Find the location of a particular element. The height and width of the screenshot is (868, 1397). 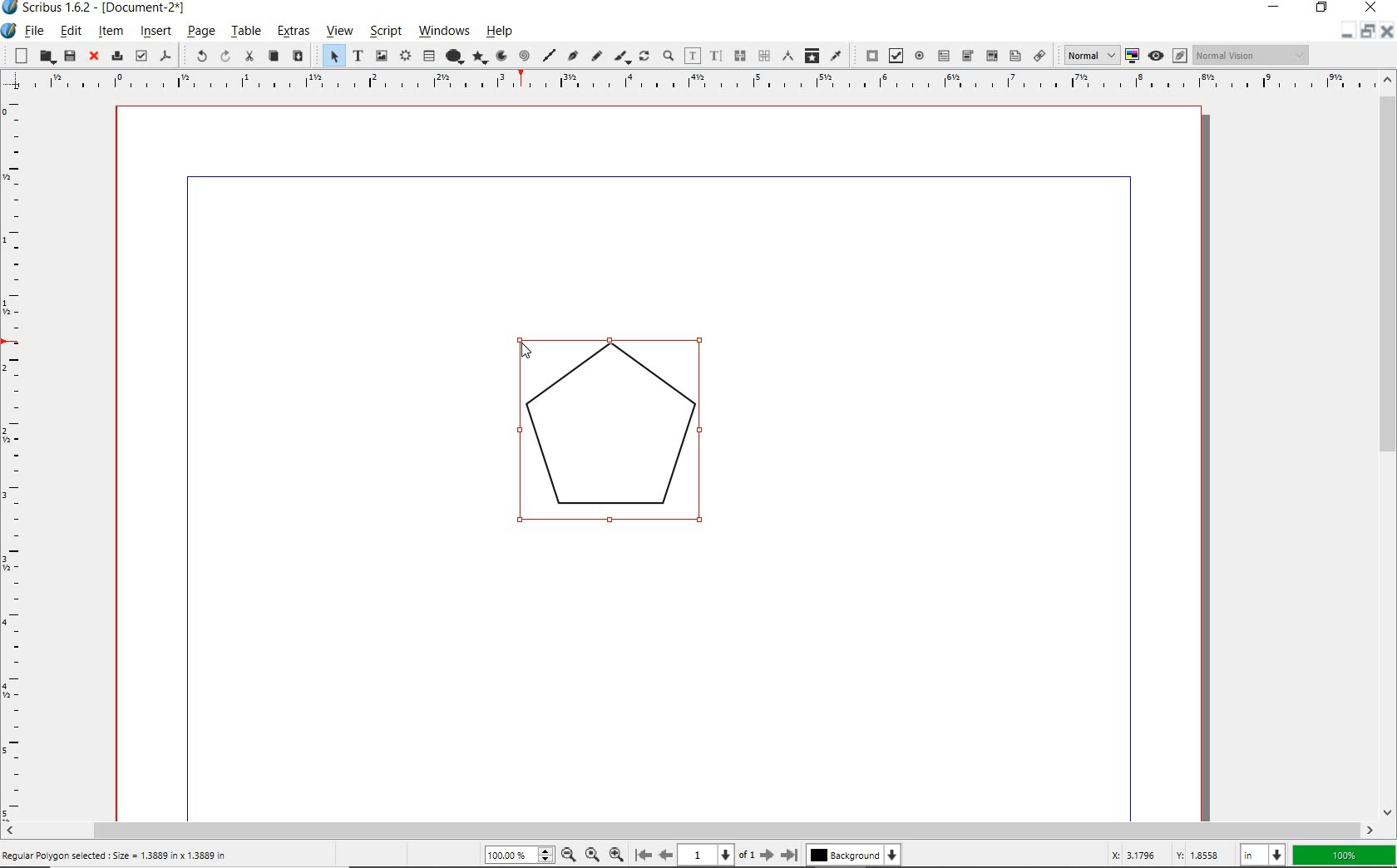

eye dropper is located at coordinates (837, 55).